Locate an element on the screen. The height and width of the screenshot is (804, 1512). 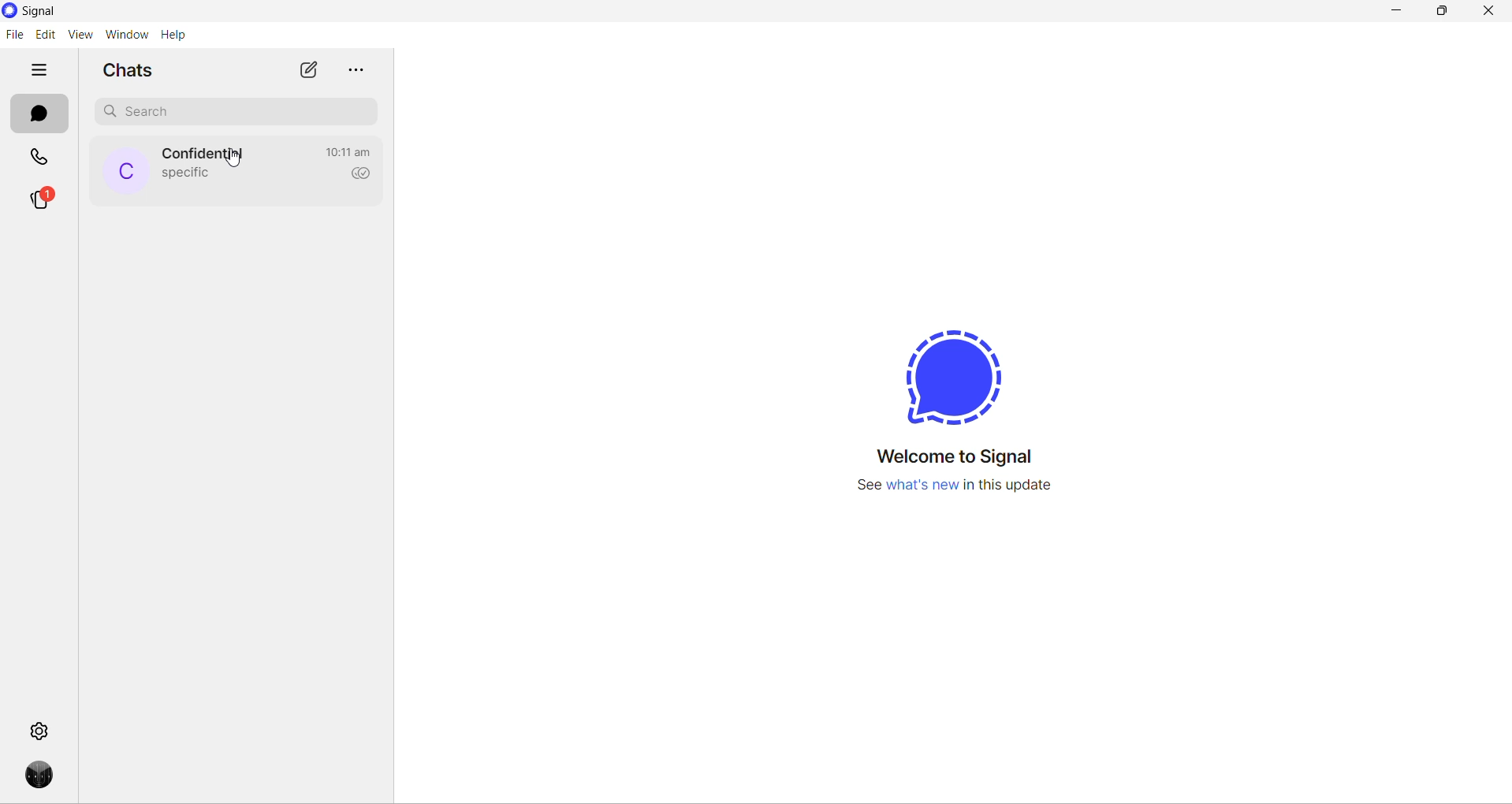
search chat is located at coordinates (240, 113).